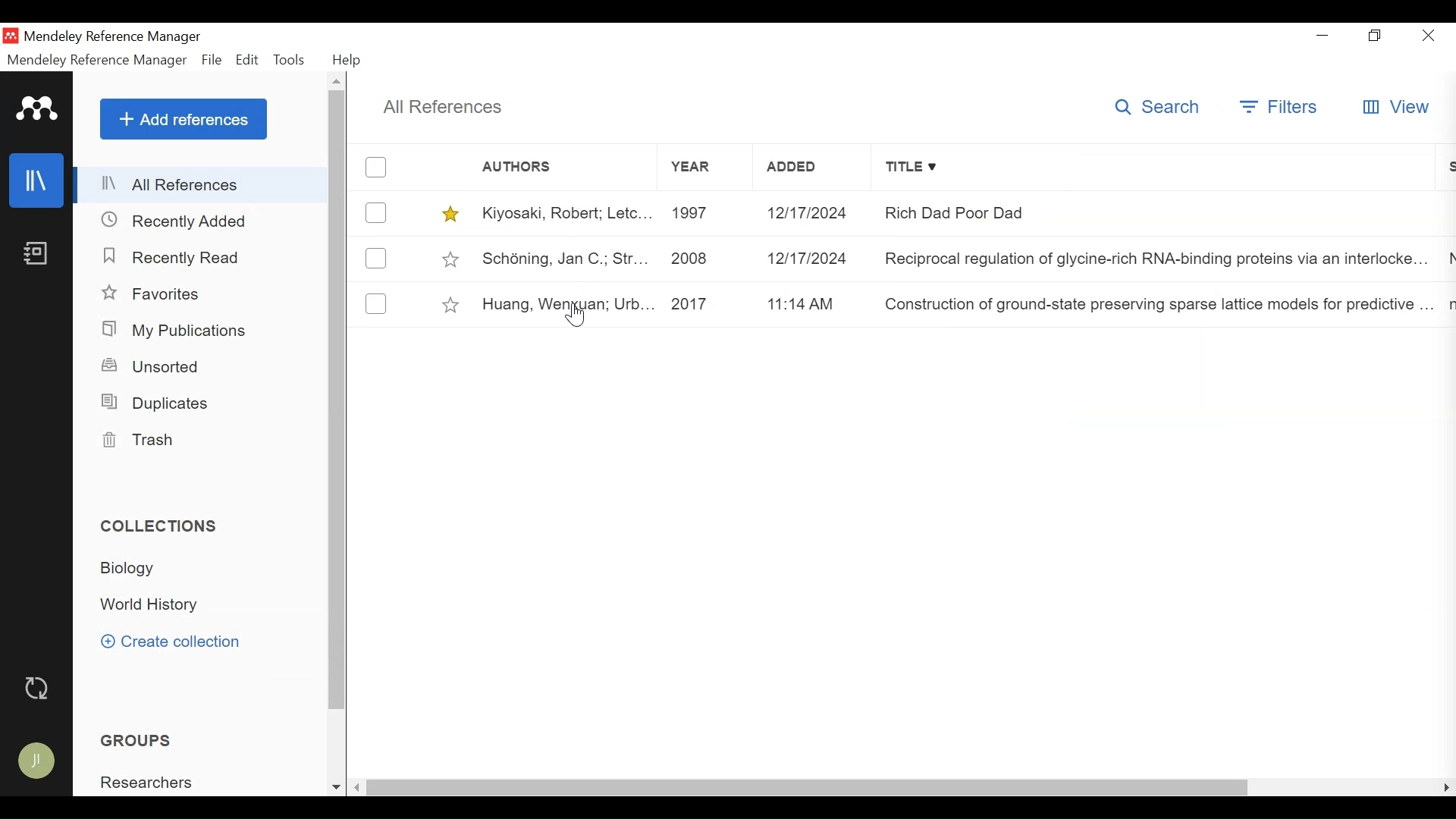 The height and width of the screenshot is (819, 1456). What do you see at coordinates (375, 167) in the screenshot?
I see `(un)select` at bounding box center [375, 167].